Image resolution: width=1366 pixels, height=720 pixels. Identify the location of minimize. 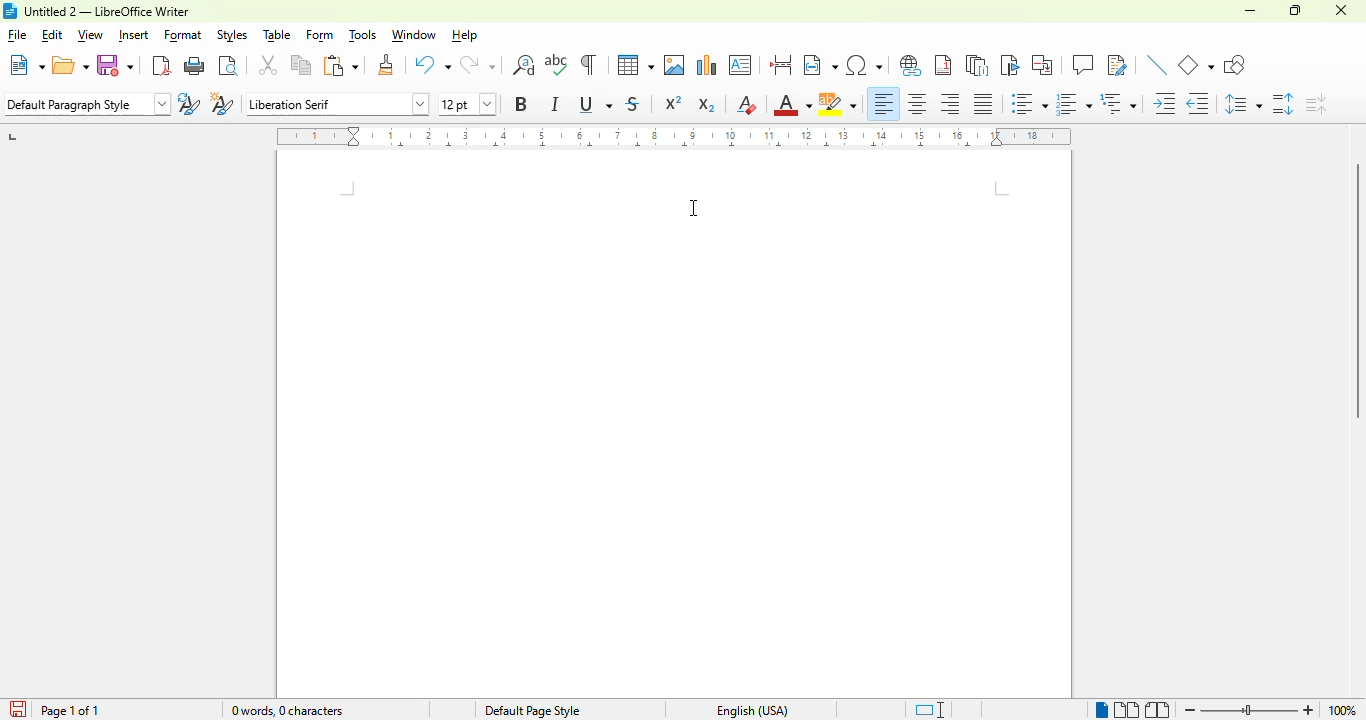
(1250, 10).